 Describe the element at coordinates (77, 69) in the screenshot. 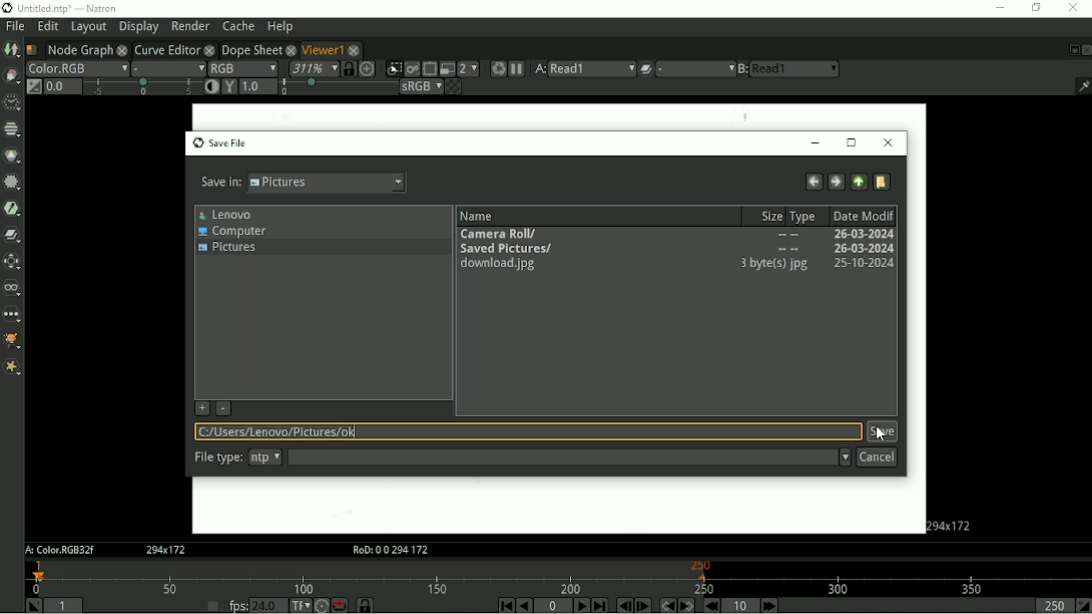

I see `Layer` at that location.